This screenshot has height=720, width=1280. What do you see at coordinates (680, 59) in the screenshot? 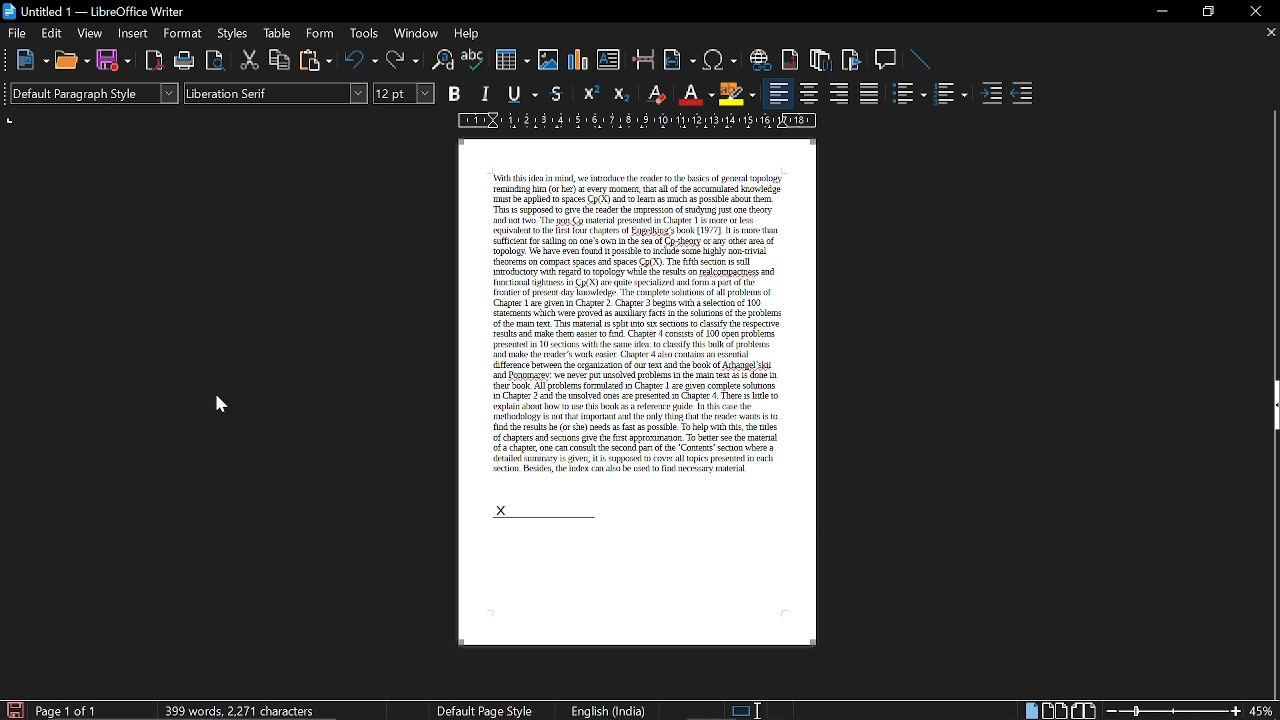
I see `insert field` at bounding box center [680, 59].